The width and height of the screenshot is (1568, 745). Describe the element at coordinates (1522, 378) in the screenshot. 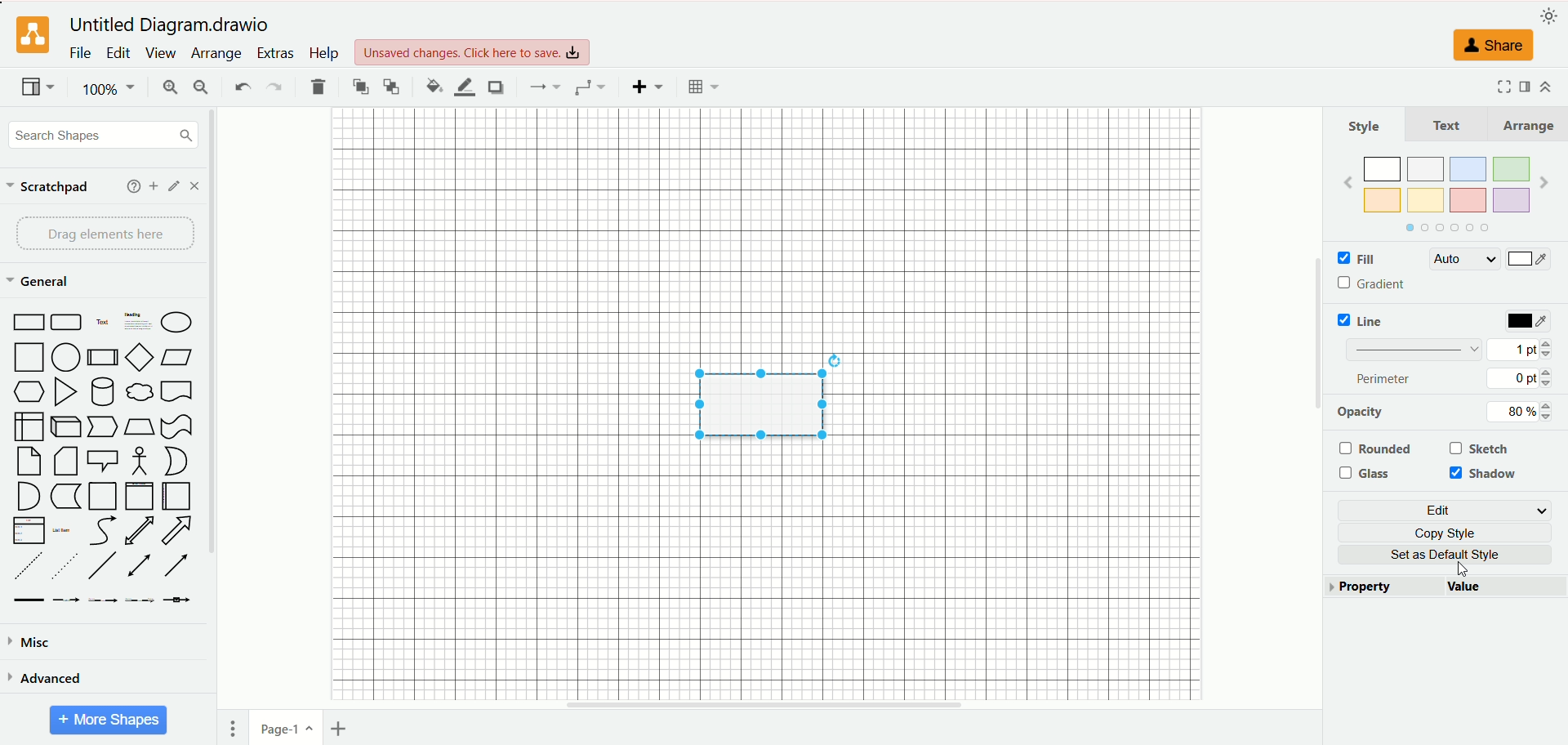

I see `0 pt` at that location.